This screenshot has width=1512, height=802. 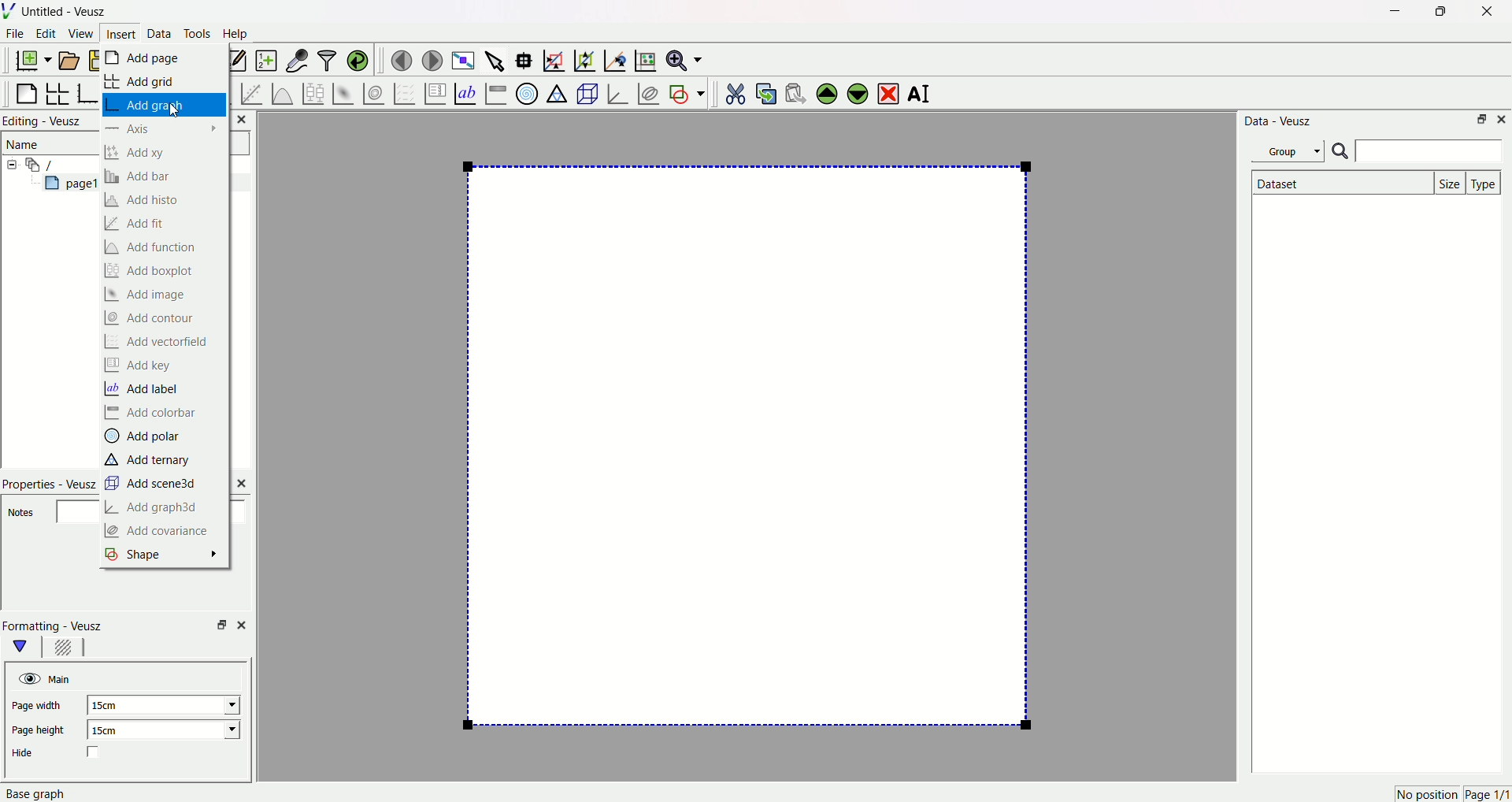 I want to click on Minimize, so click(x=1480, y=121).